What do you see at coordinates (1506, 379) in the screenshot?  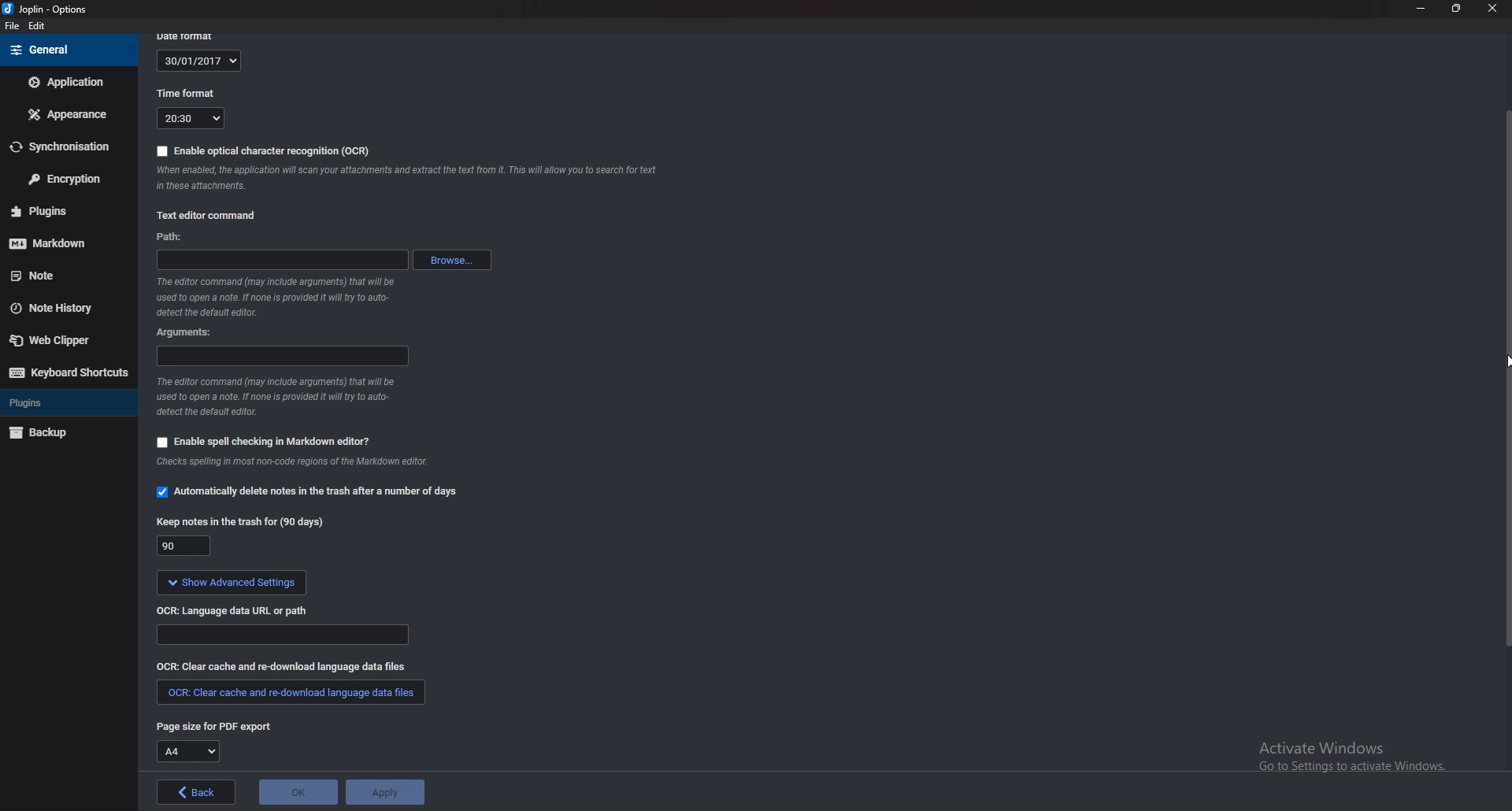 I see `Scroll bar` at bounding box center [1506, 379].